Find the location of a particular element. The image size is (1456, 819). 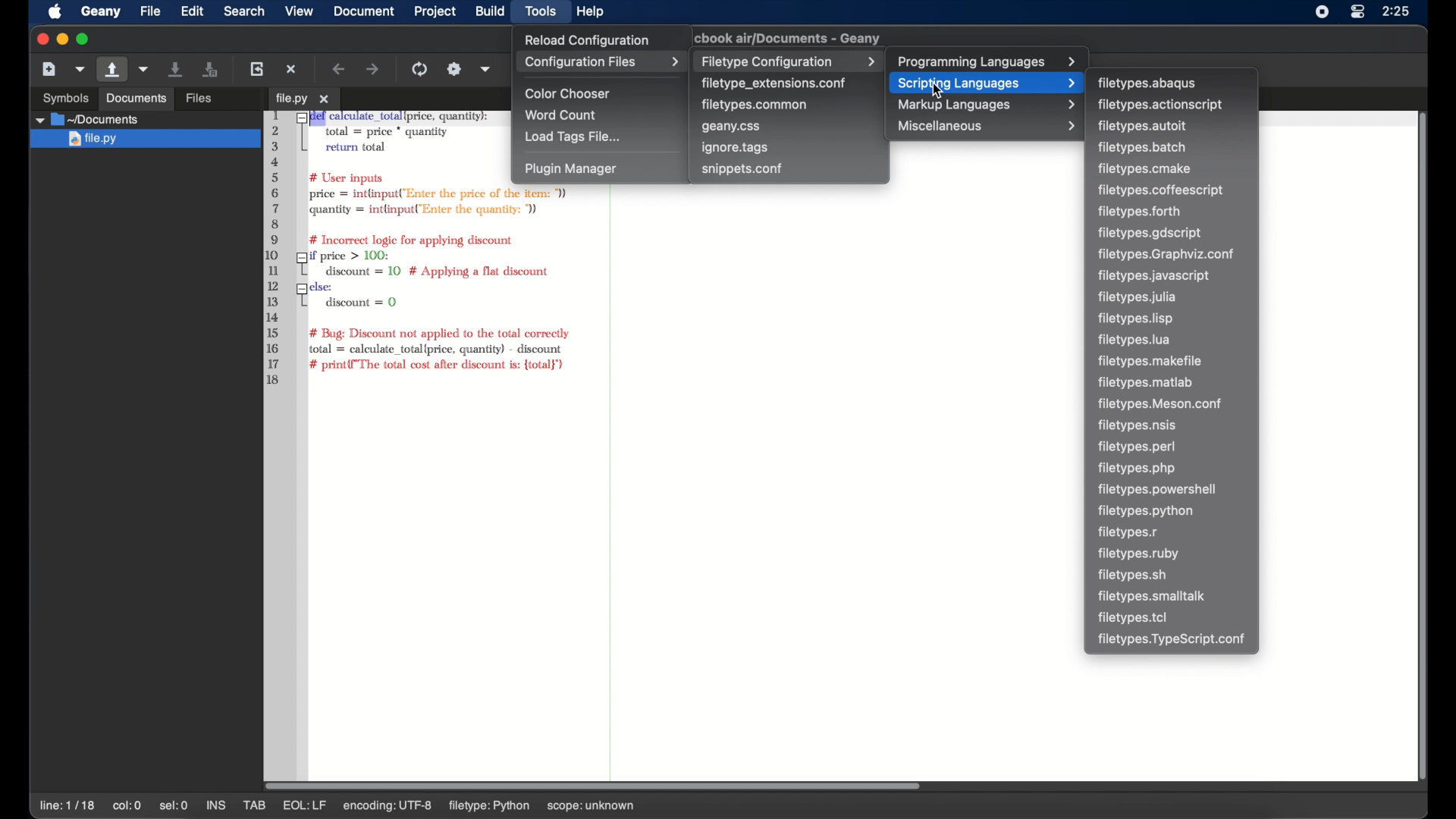

filetypes is located at coordinates (1136, 447).